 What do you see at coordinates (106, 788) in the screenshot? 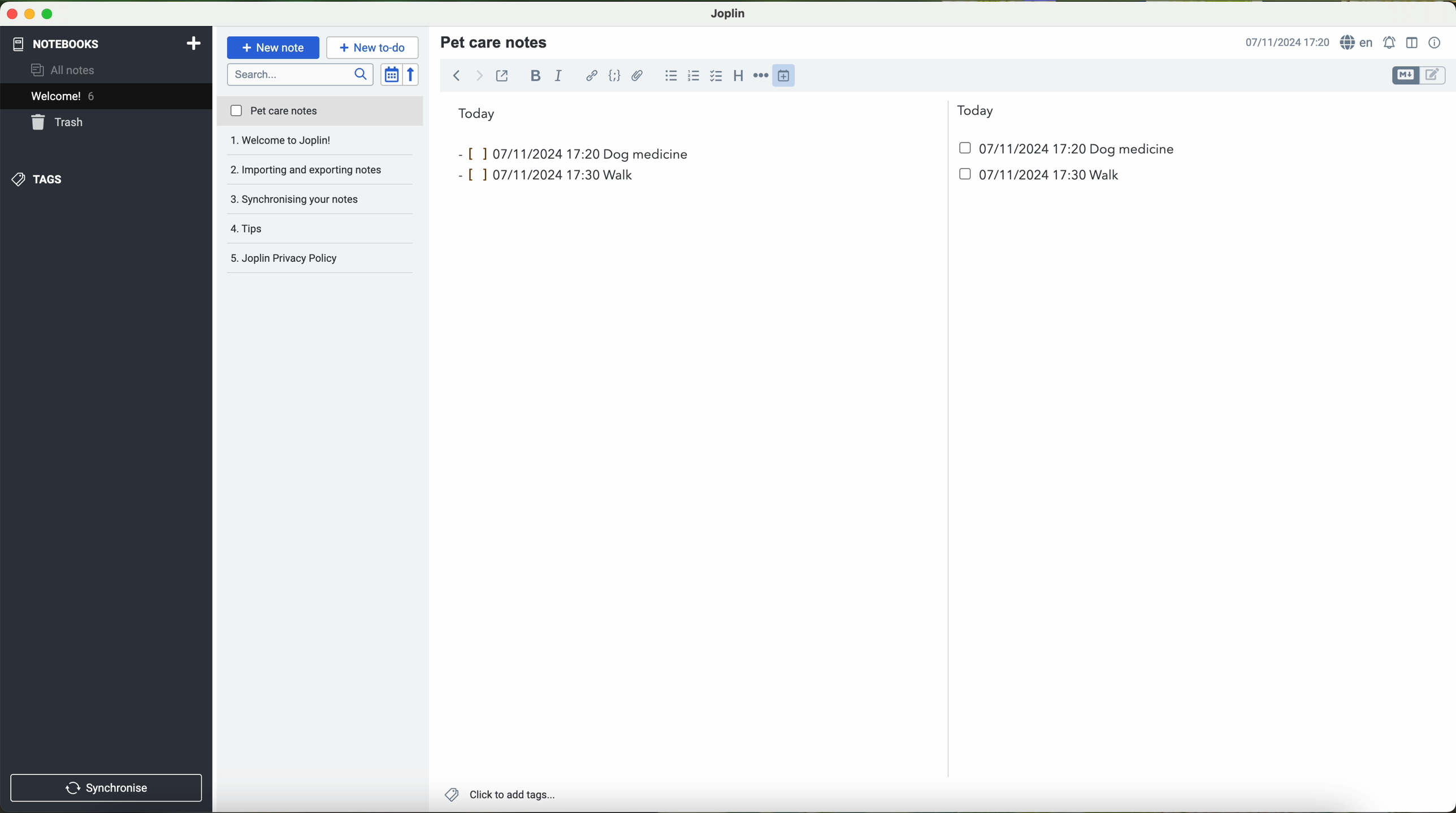
I see `synchronise button` at bounding box center [106, 788].